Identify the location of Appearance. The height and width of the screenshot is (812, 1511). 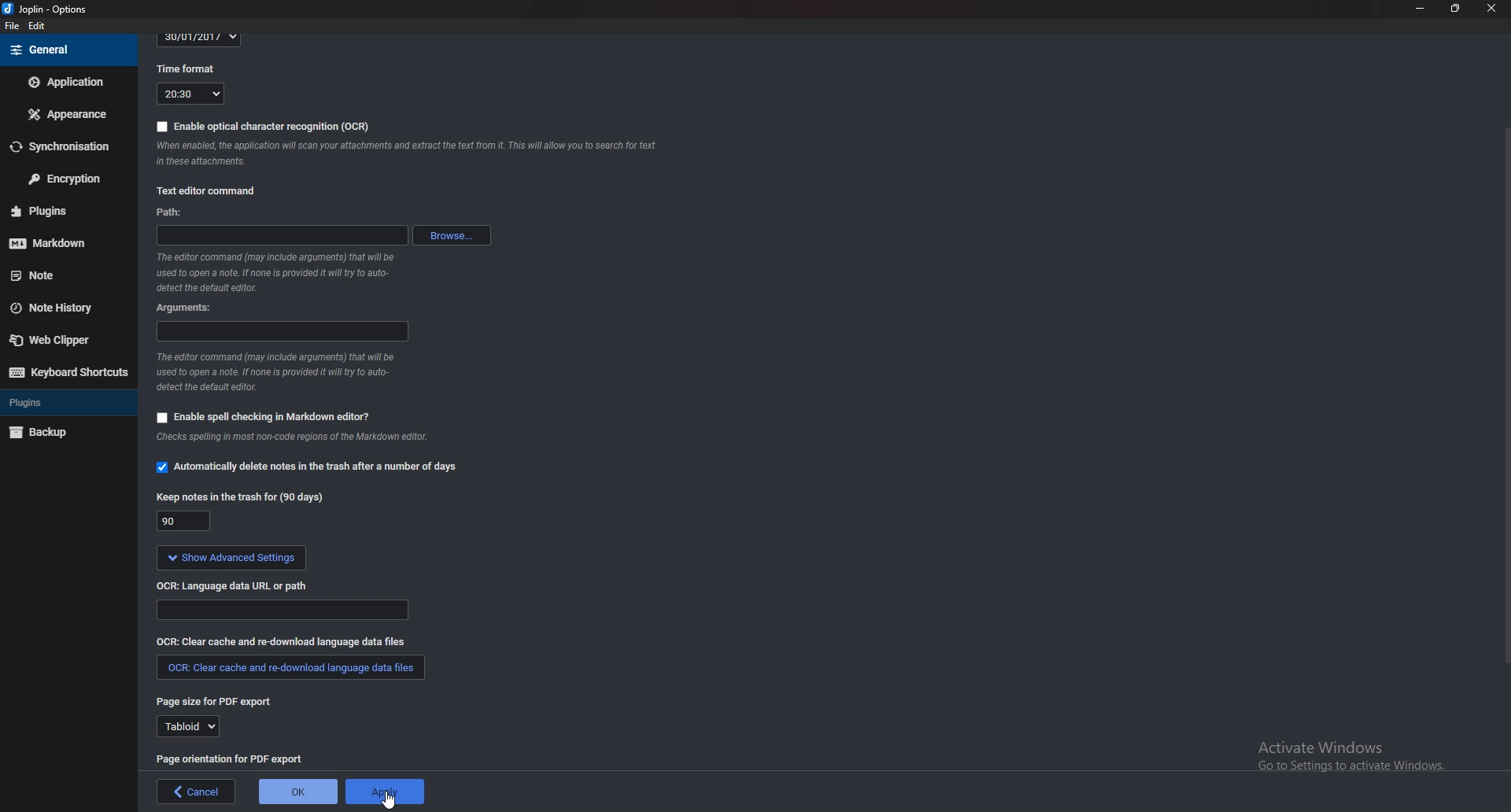
(65, 115).